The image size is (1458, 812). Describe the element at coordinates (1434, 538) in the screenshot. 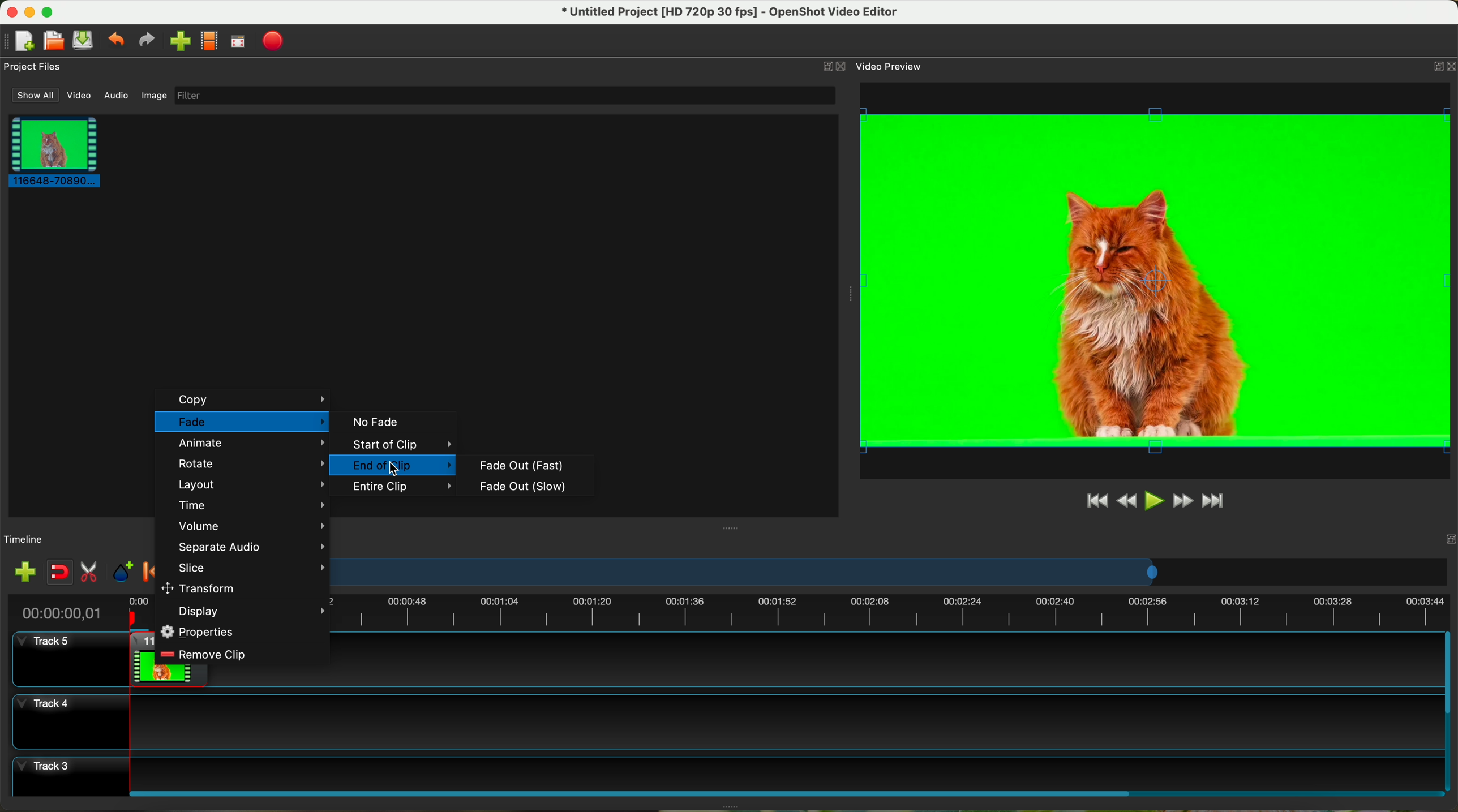

I see `close` at that location.